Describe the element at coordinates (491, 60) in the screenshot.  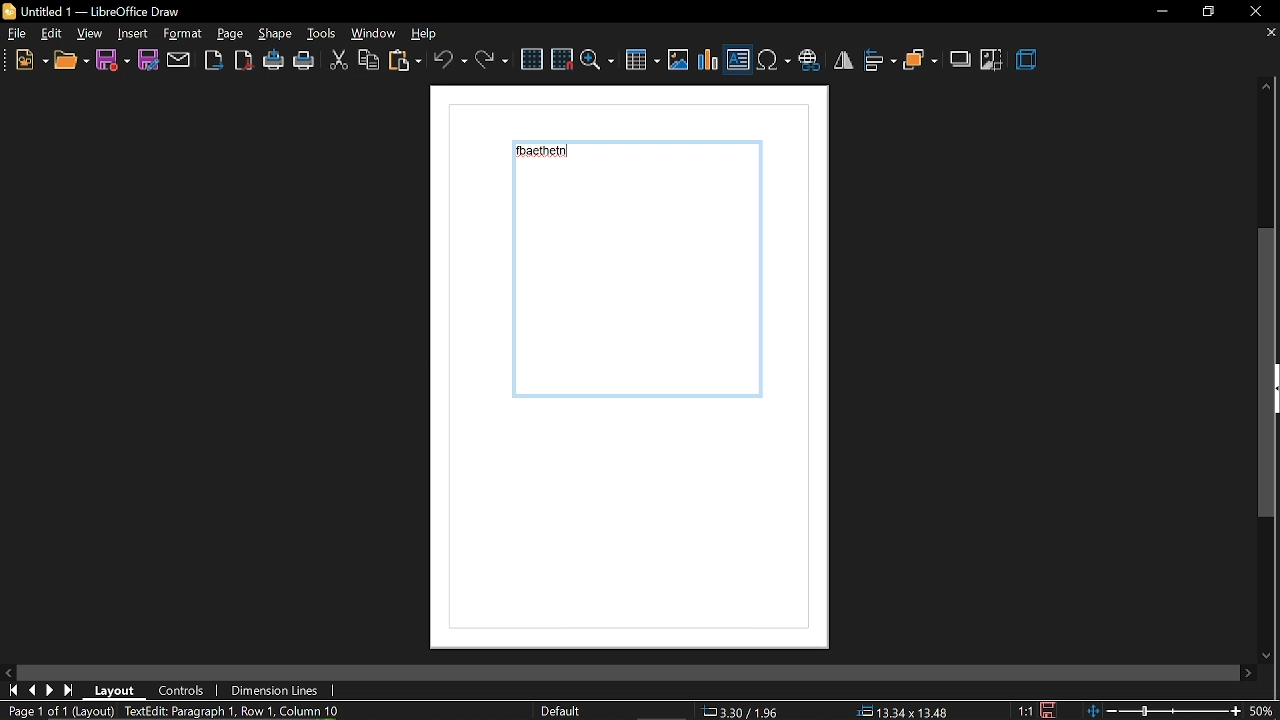
I see `redo` at that location.